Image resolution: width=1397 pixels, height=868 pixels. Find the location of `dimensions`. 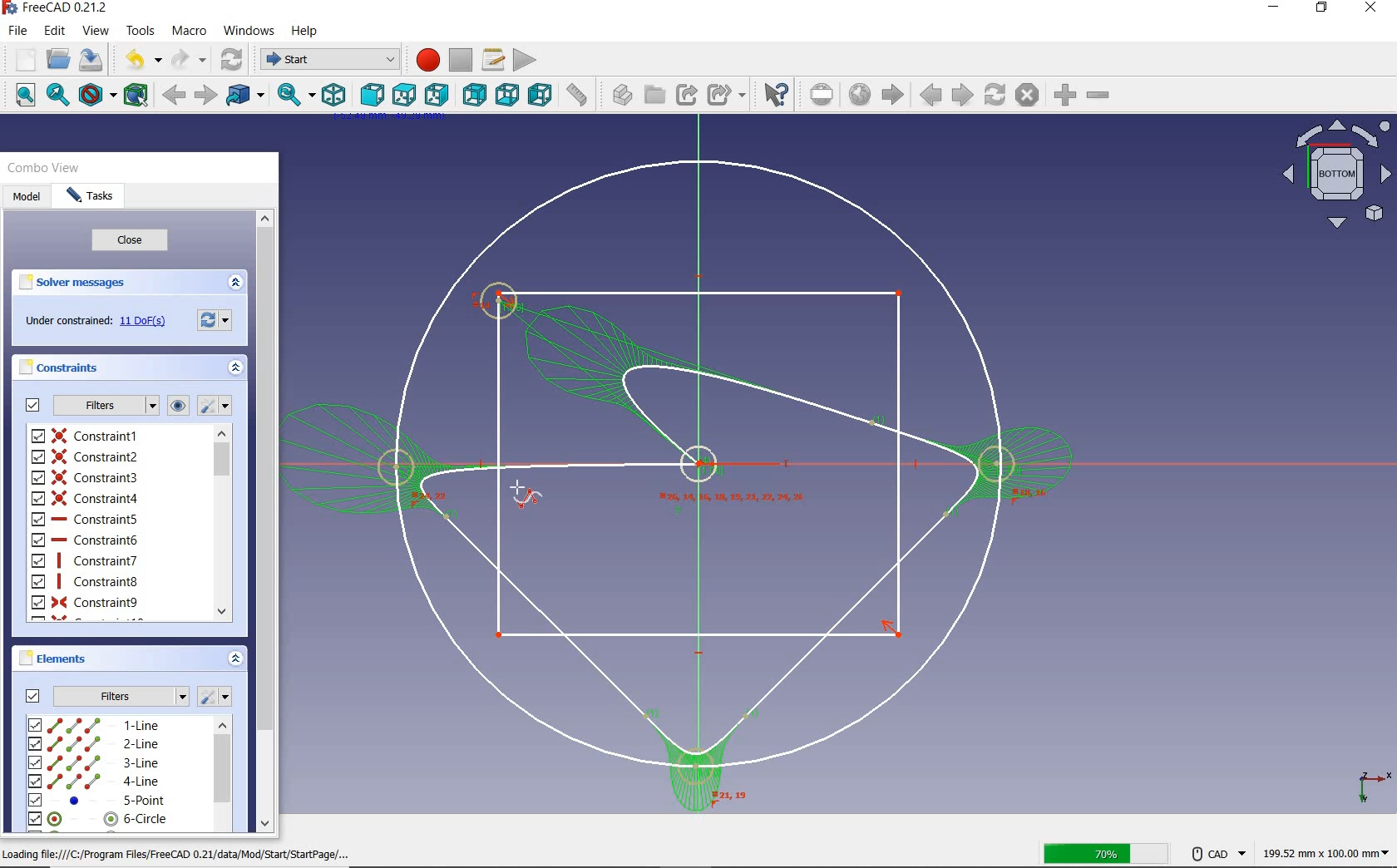

dimensions is located at coordinates (1324, 855).